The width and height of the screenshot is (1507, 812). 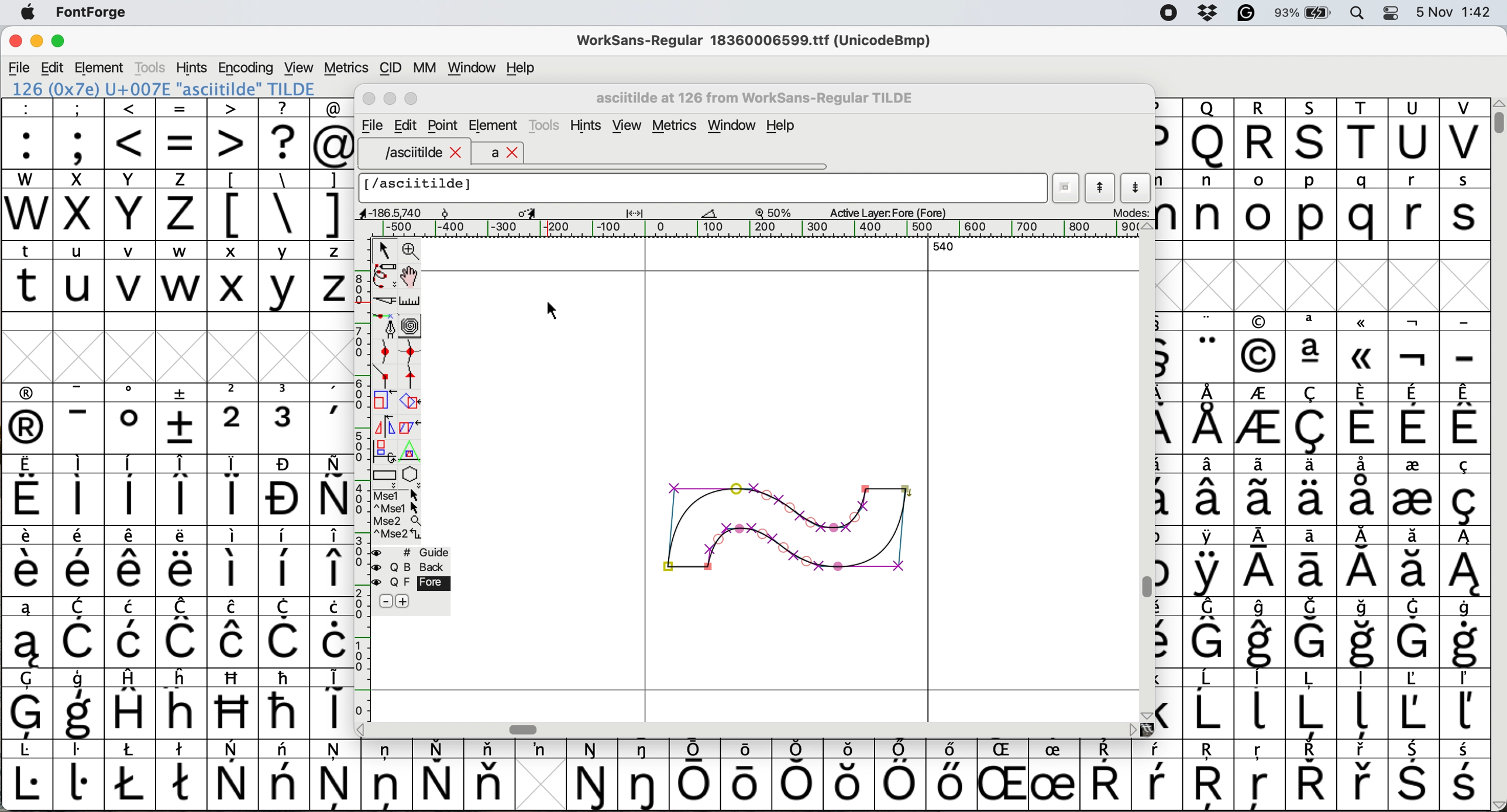 What do you see at coordinates (1464, 633) in the screenshot?
I see `symbol` at bounding box center [1464, 633].